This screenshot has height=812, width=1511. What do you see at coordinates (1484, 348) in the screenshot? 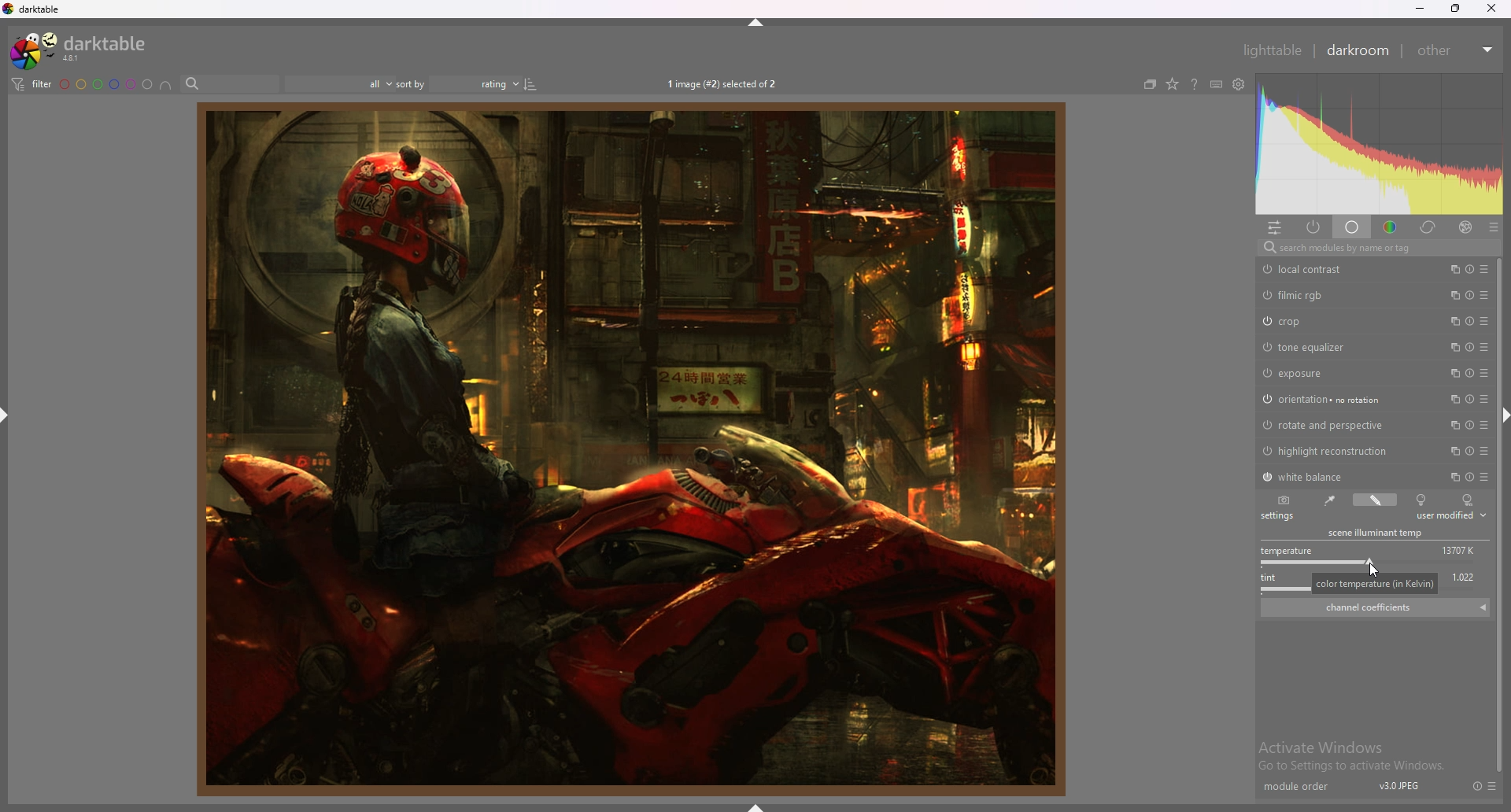
I see `presets` at bounding box center [1484, 348].